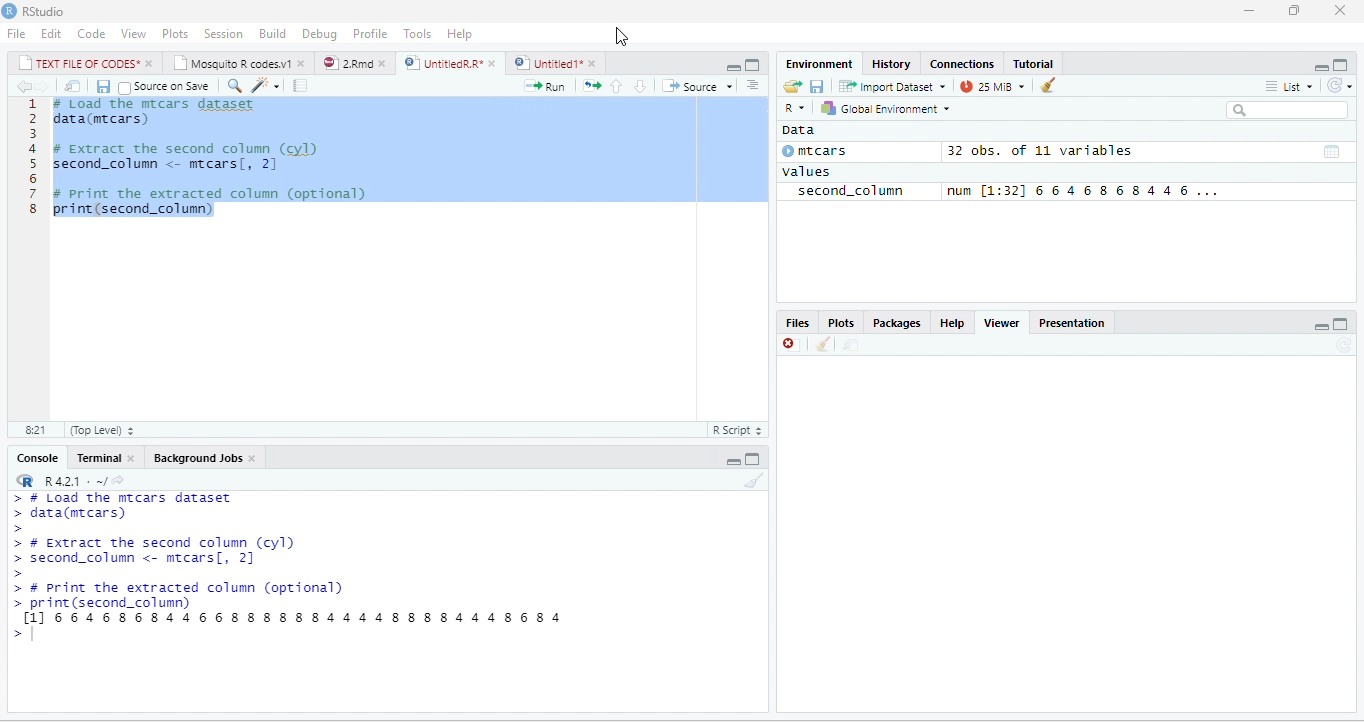  What do you see at coordinates (1047, 85) in the screenshot?
I see `clear` at bounding box center [1047, 85].